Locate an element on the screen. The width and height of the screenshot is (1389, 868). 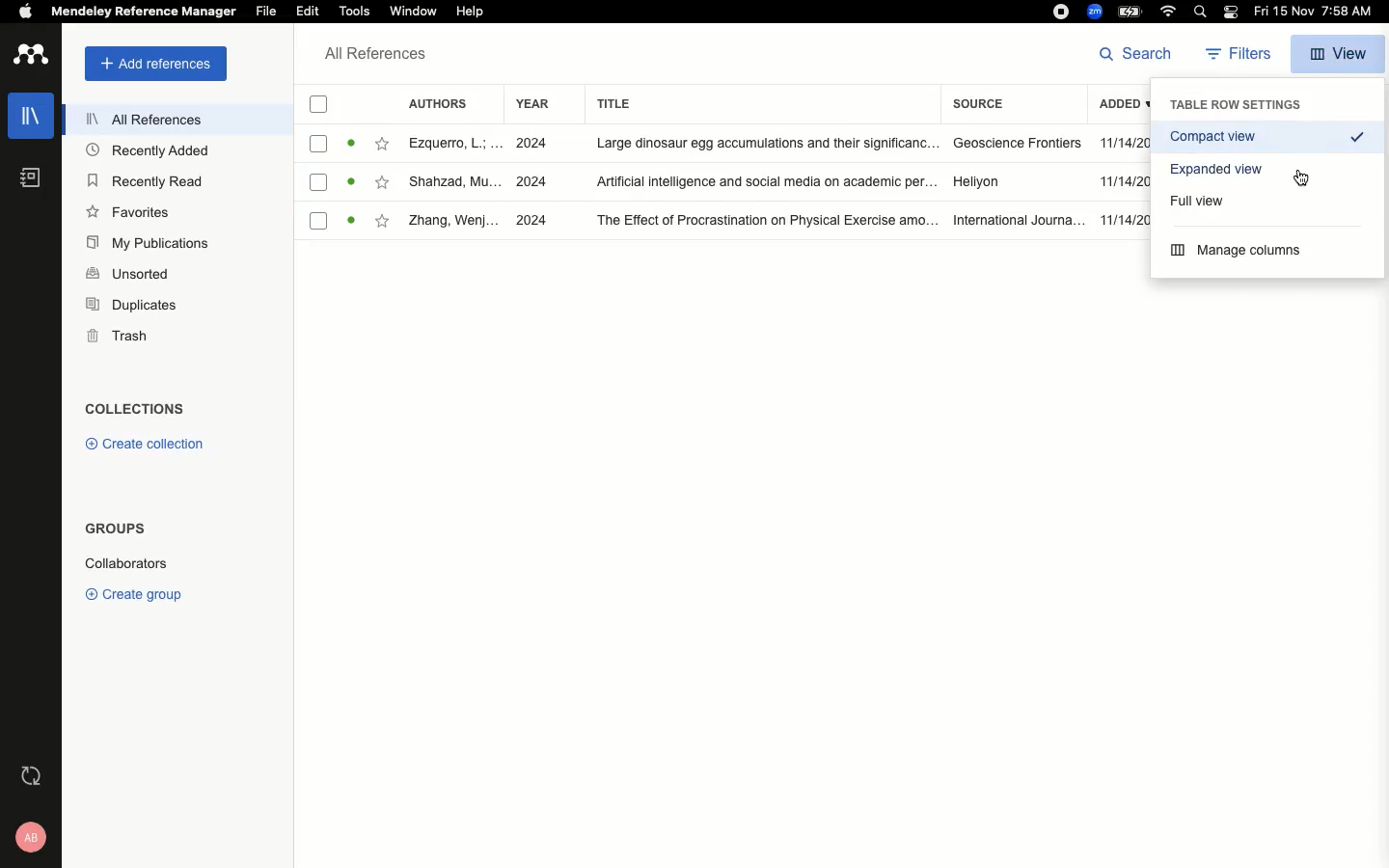
Grid view is located at coordinates (1220, 166).